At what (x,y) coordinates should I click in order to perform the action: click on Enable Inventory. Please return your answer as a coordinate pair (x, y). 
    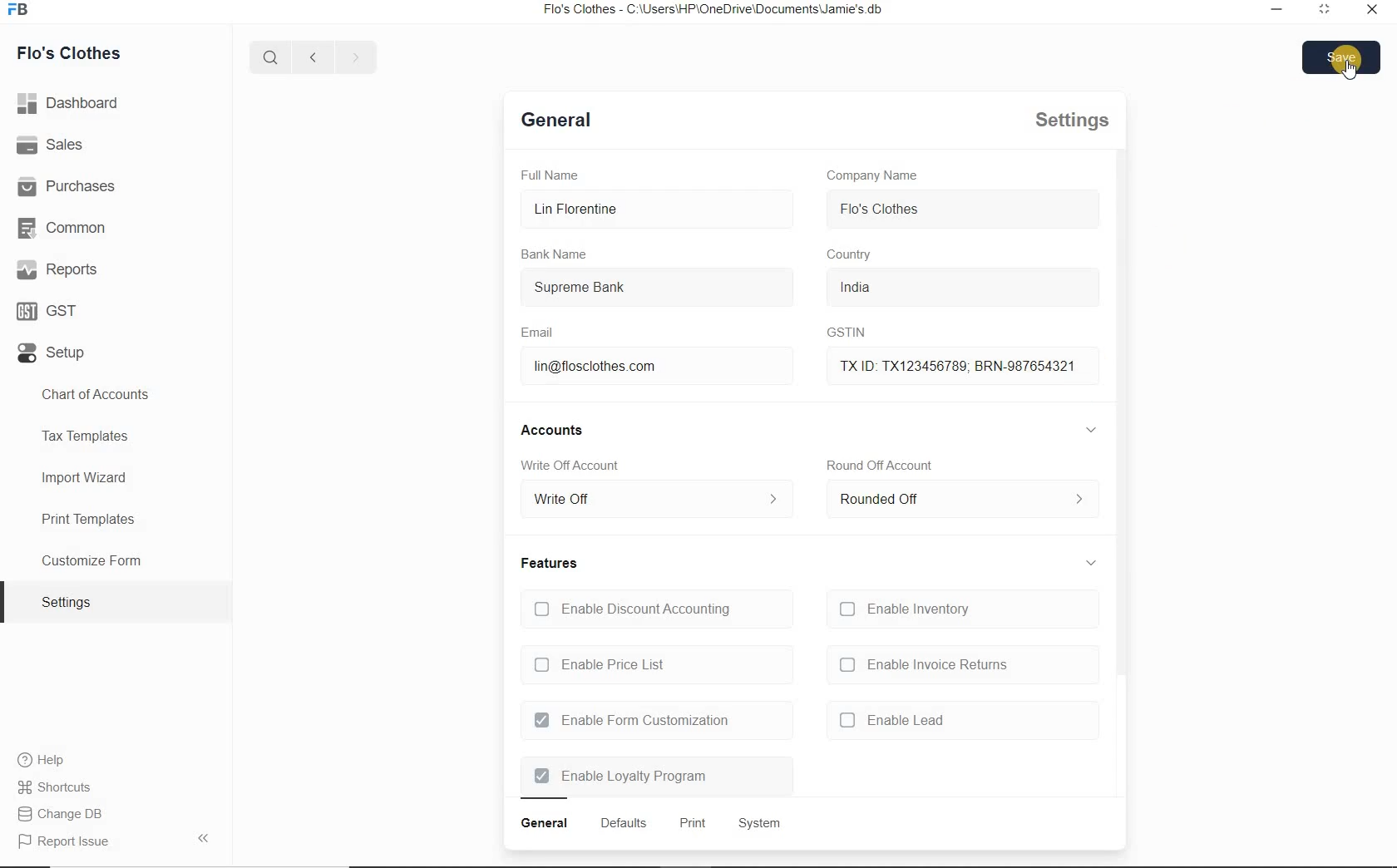
    Looking at the image, I should click on (910, 609).